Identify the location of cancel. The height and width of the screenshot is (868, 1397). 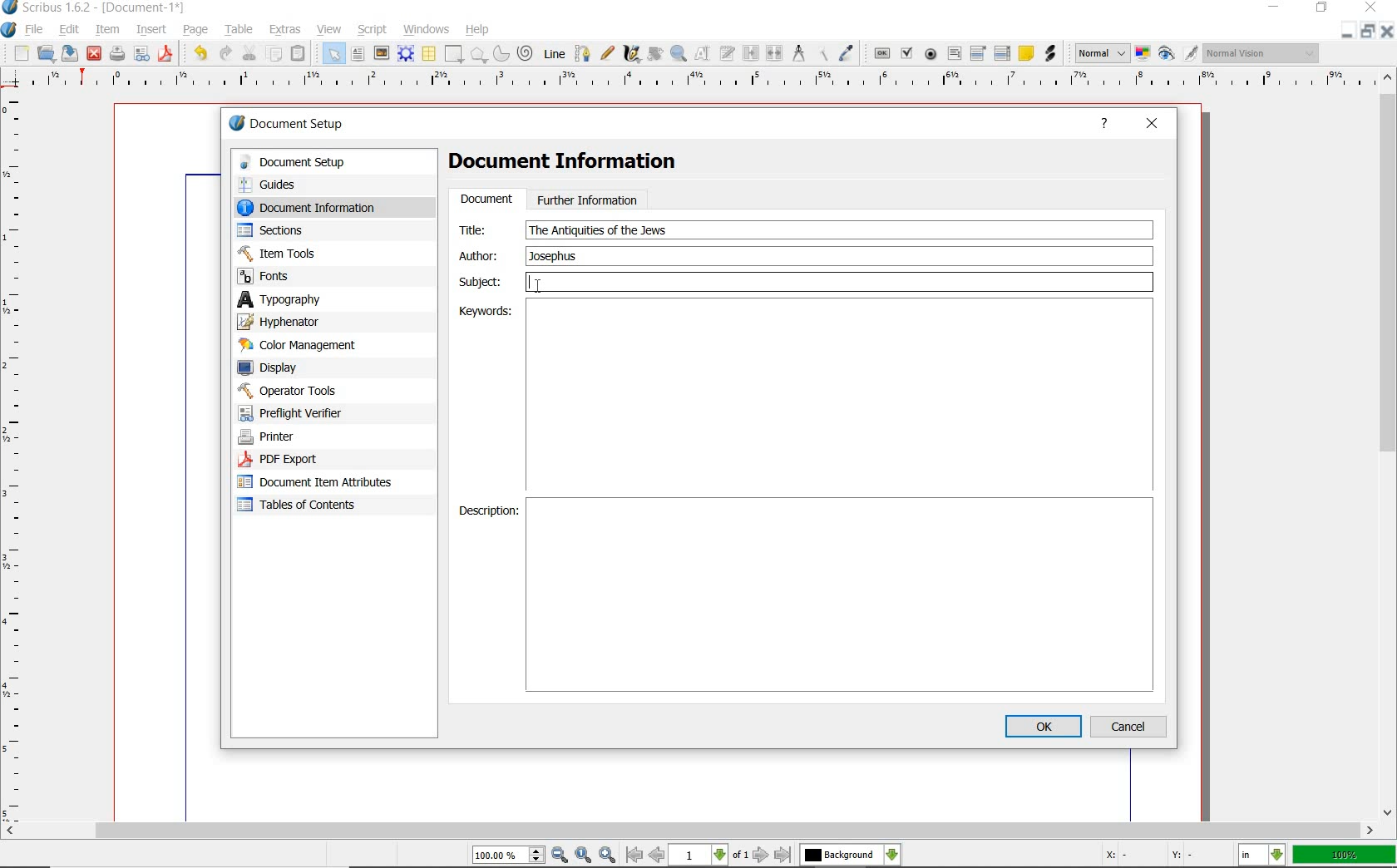
(1131, 726).